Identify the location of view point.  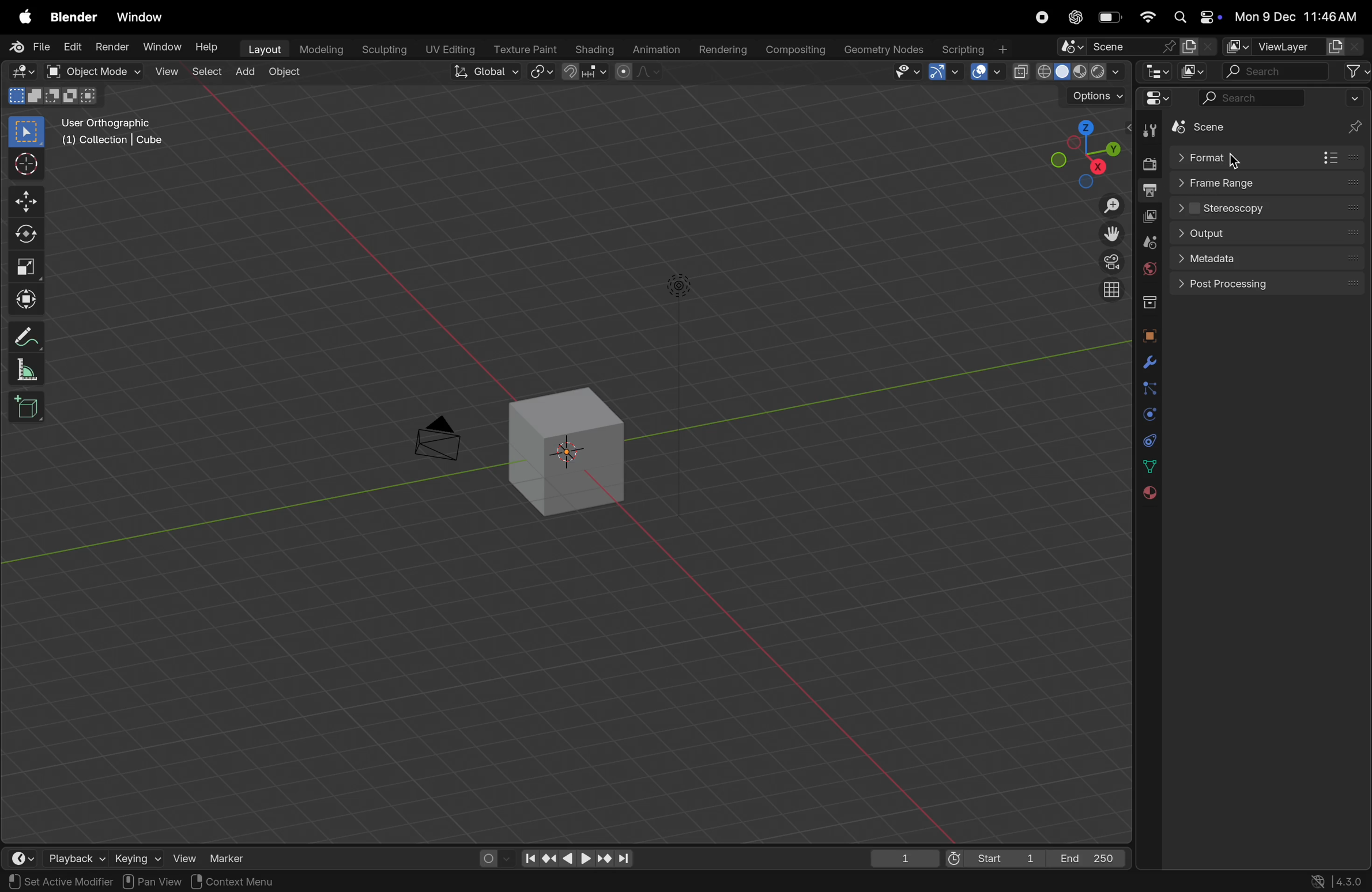
(1087, 150).